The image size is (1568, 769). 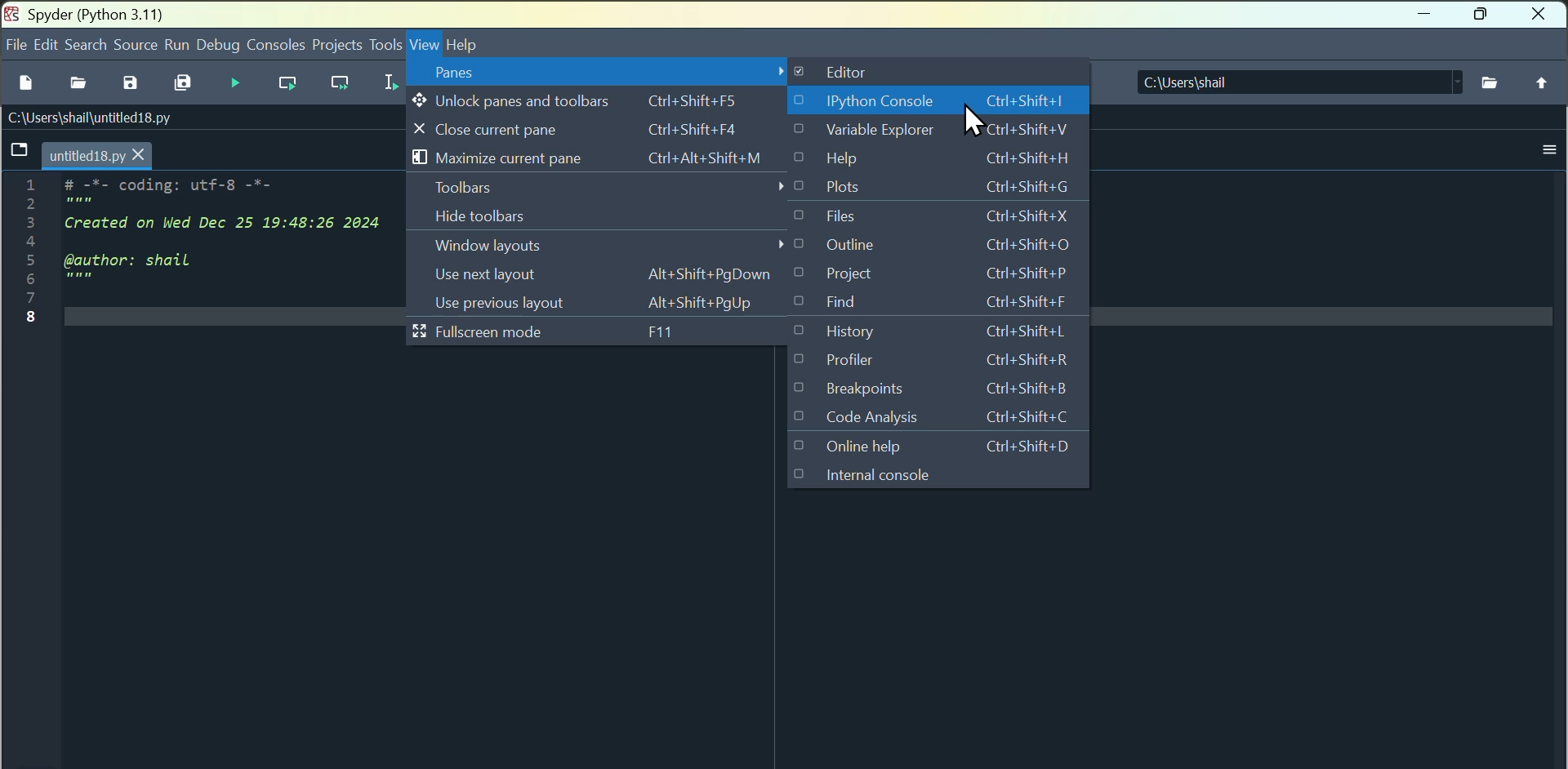 I want to click on Break points, so click(x=934, y=389).